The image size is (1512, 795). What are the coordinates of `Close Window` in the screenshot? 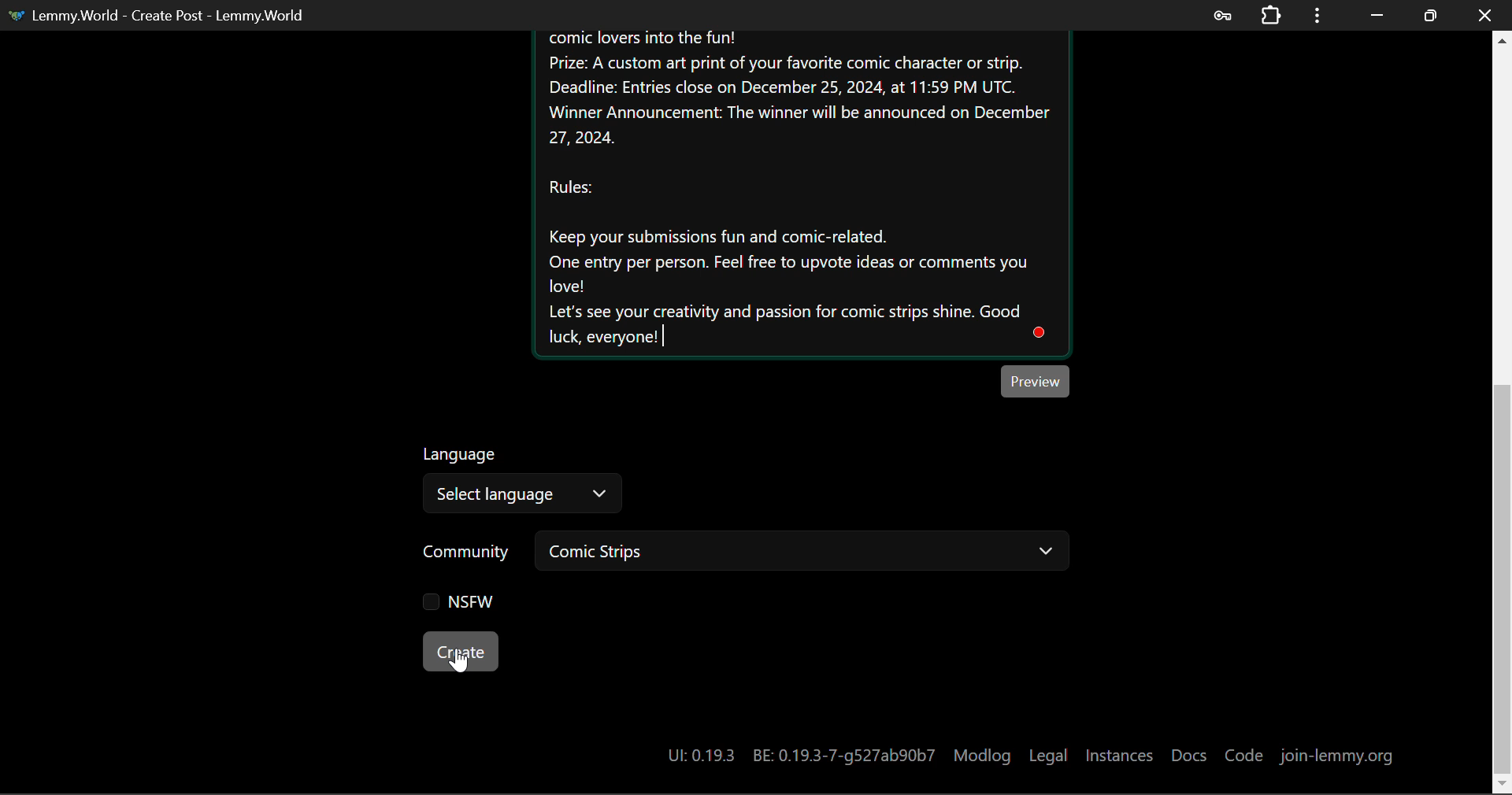 It's located at (1484, 13).